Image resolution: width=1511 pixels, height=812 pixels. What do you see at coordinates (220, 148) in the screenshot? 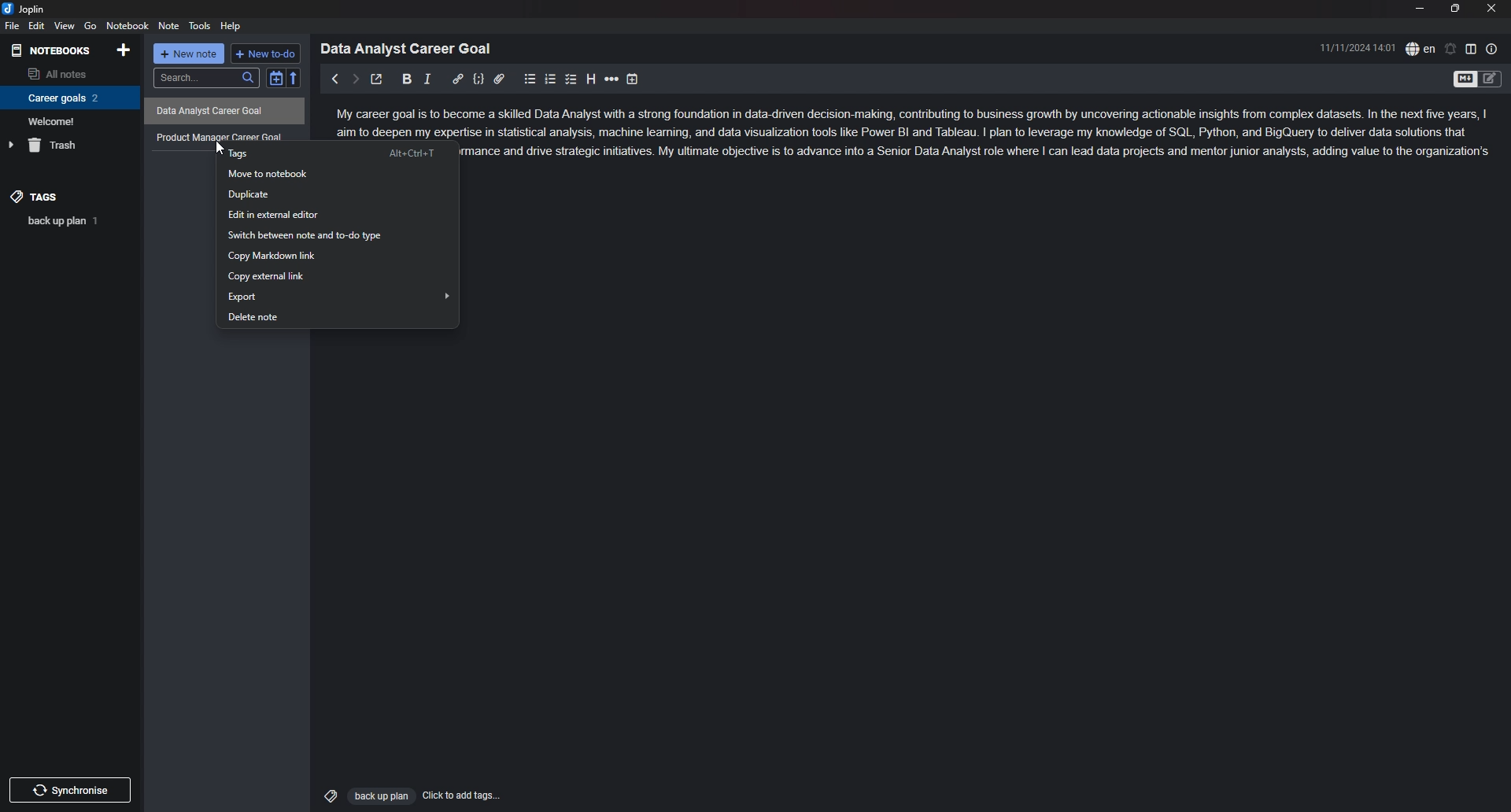
I see `cursor` at bounding box center [220, 148].